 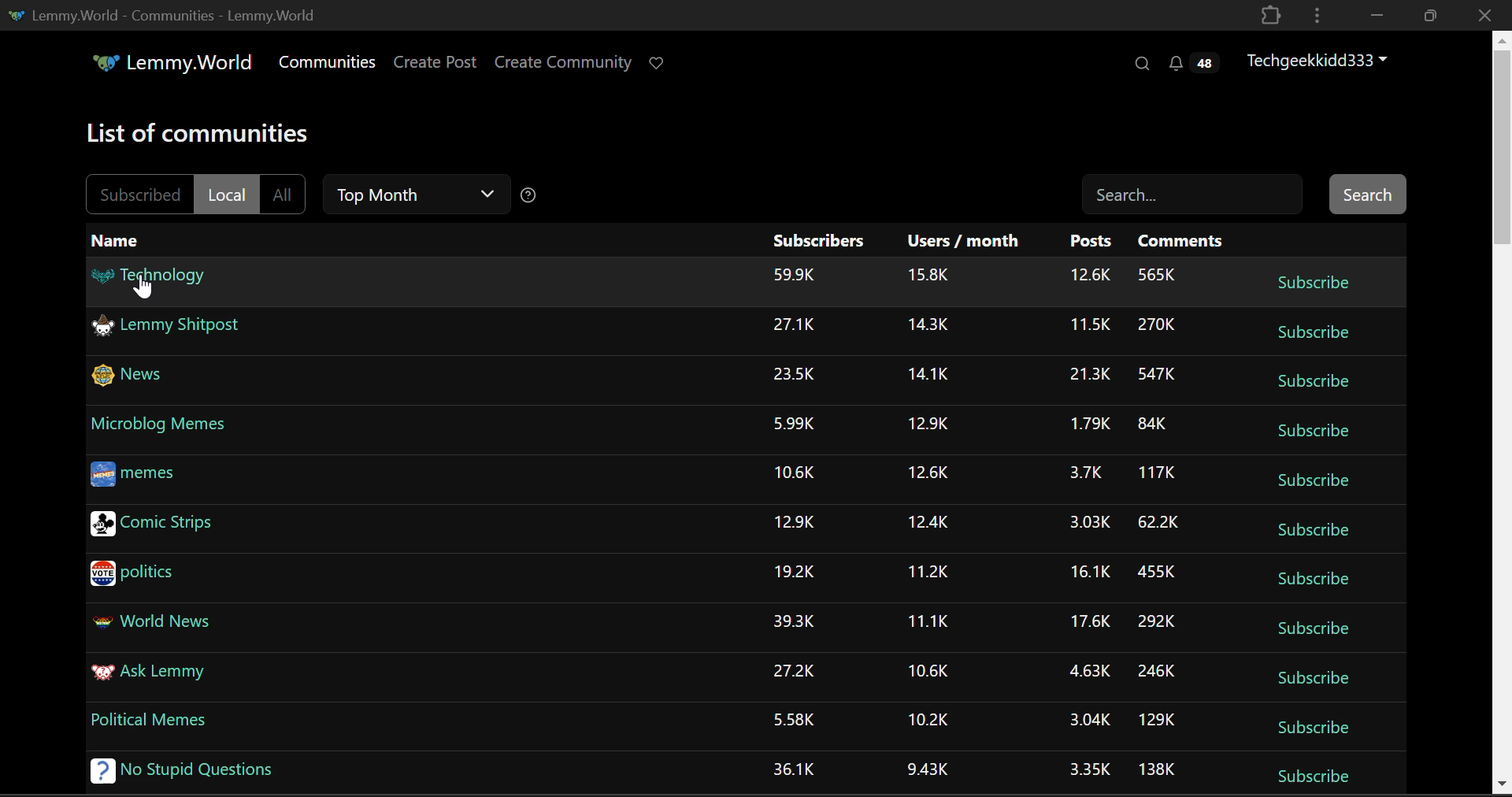 I want to click on Name, so click(x=122, y=239).